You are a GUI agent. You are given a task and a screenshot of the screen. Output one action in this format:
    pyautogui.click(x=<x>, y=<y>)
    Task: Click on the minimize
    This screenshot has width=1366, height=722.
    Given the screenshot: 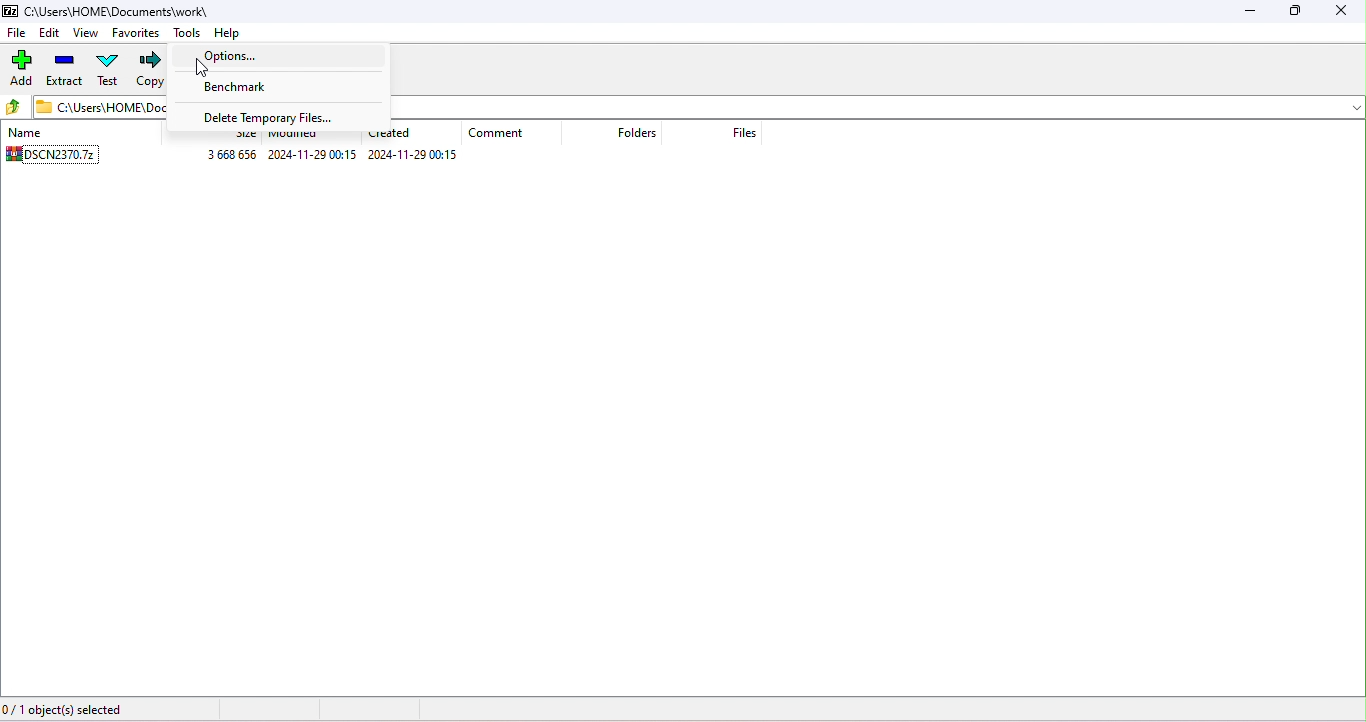 What is the action you would take?
    pyautogui.click(x=1251, y=12)
    